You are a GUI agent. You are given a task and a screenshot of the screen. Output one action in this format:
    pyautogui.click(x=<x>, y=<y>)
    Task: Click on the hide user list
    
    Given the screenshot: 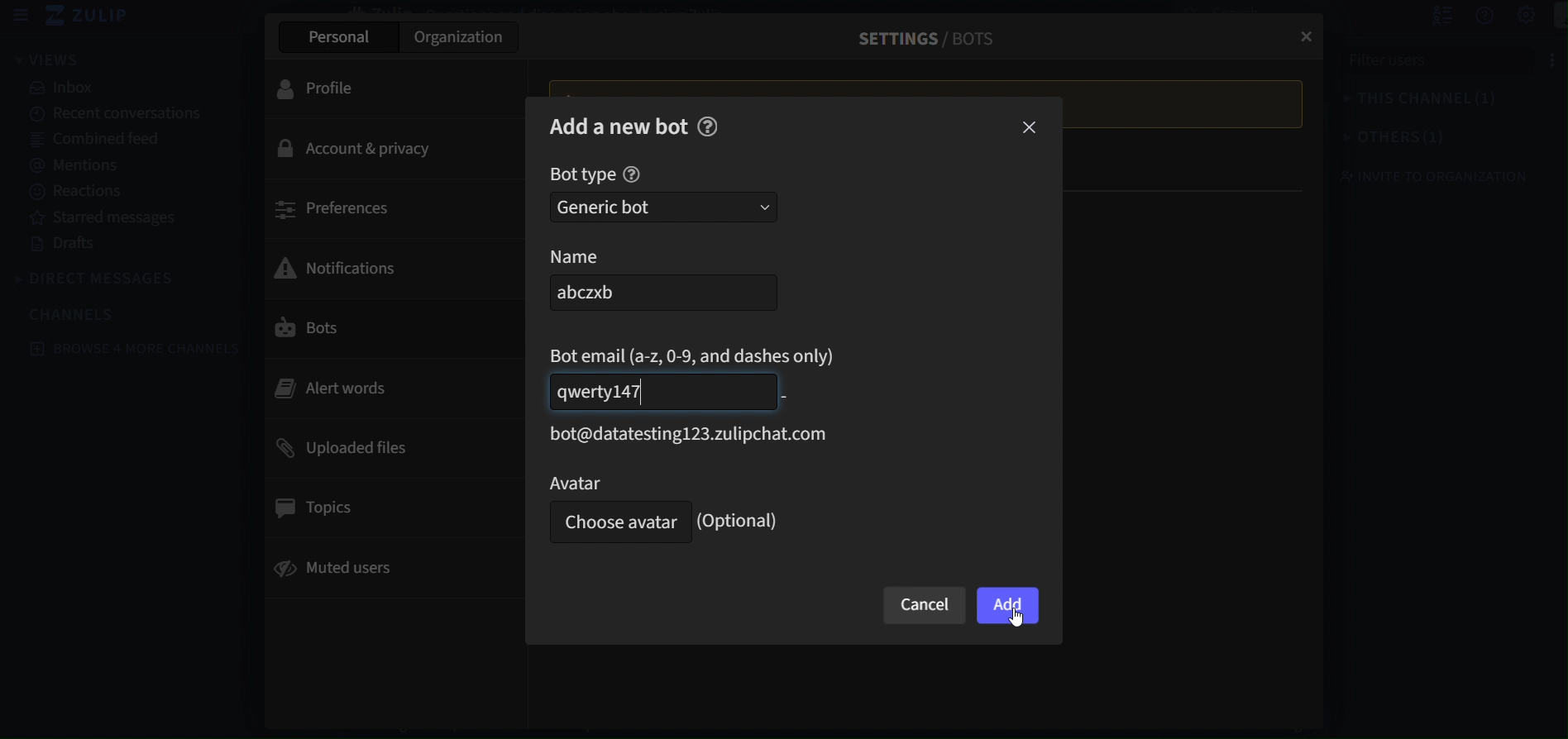 What is the action you would take?
    pyautogui.click(x=1423, y=16)
    